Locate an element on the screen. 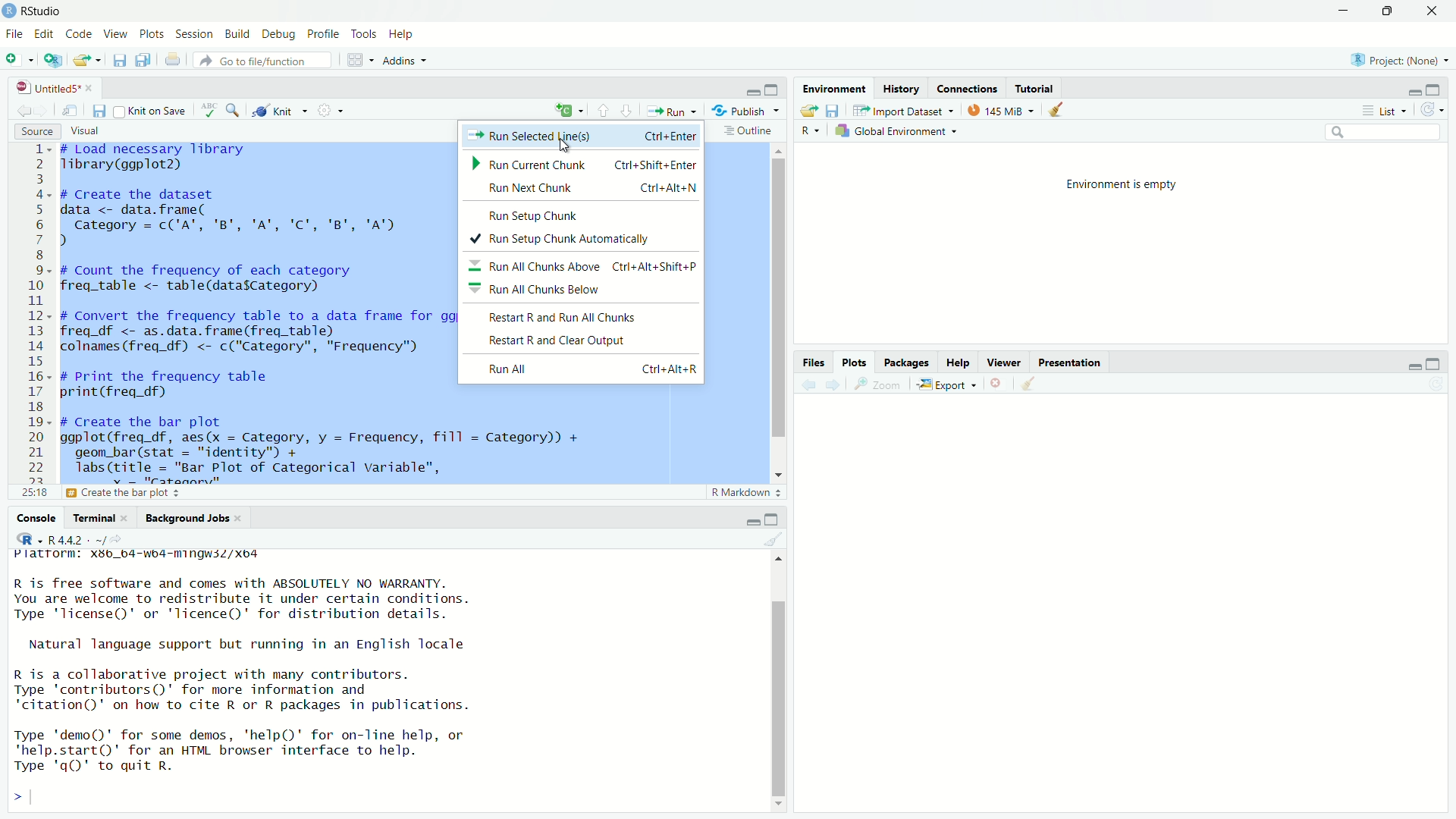 The width and height of the screenshot is (1456, 819). maximize is located at coordinates (1392, 12).